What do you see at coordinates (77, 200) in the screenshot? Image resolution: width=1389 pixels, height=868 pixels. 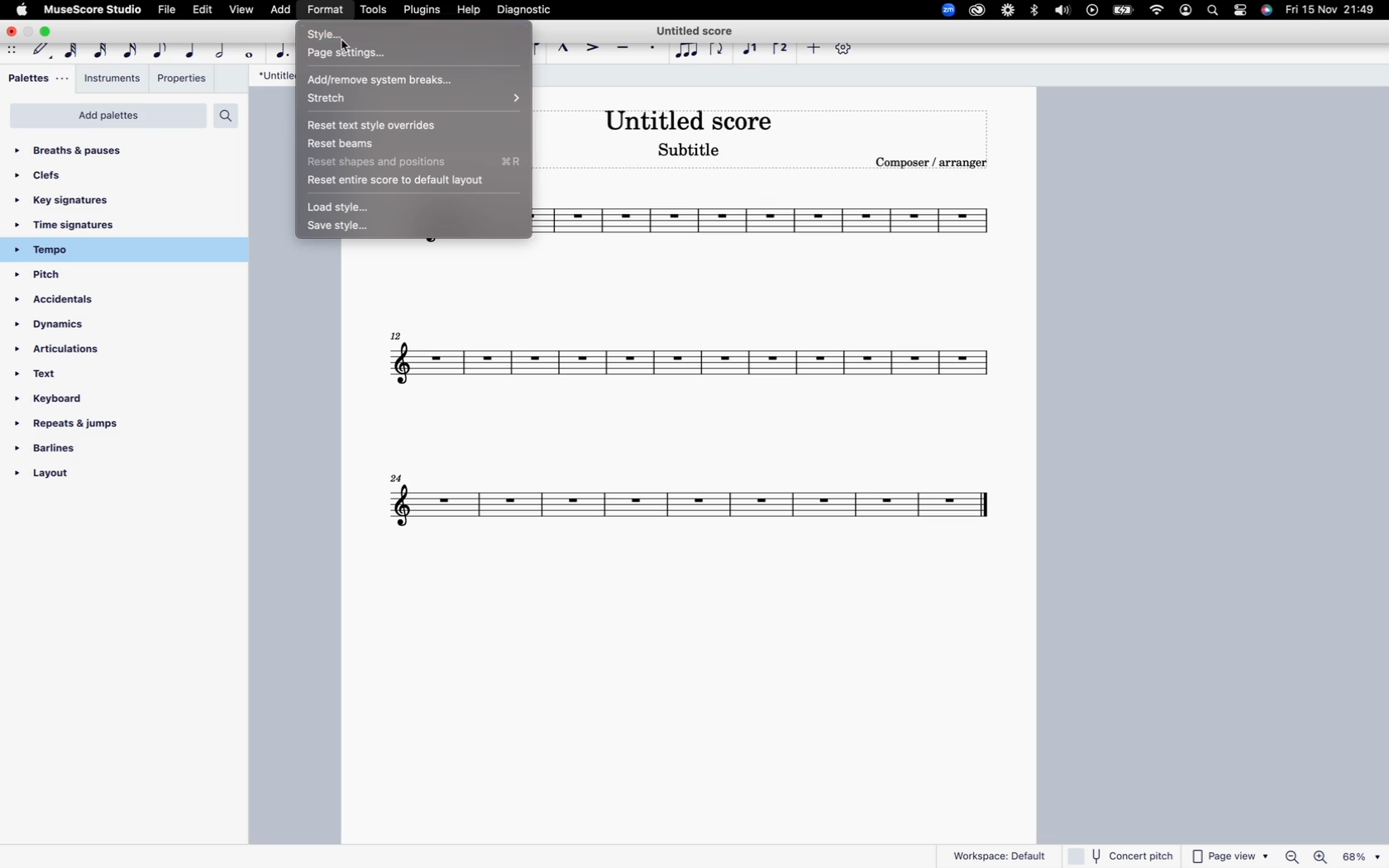 I see `key signatures` at bounding box center [77, 200].